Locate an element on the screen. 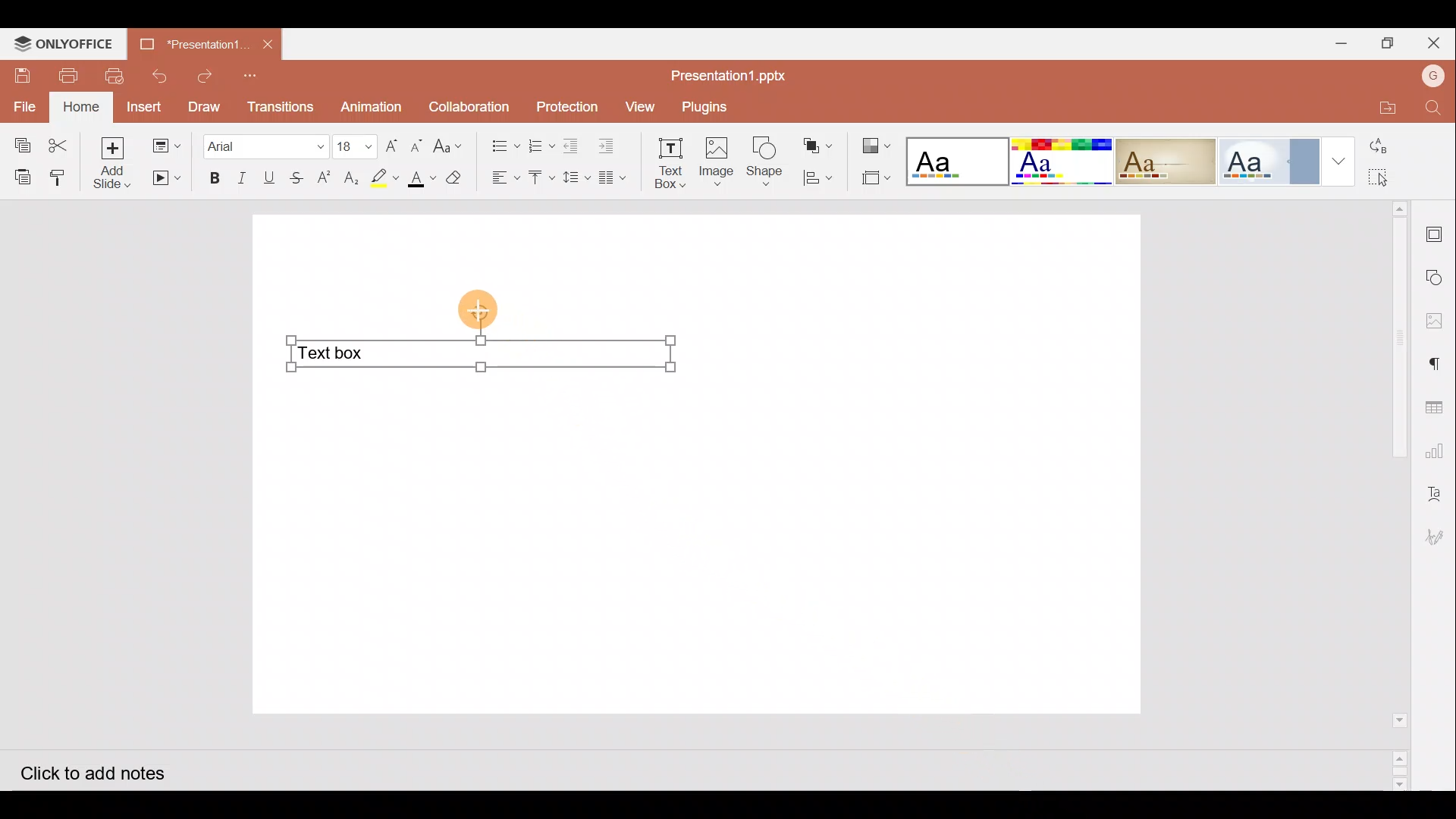 This screenshot has width=1456, height=819. Change slide layout is located at coordinates (168, 143).